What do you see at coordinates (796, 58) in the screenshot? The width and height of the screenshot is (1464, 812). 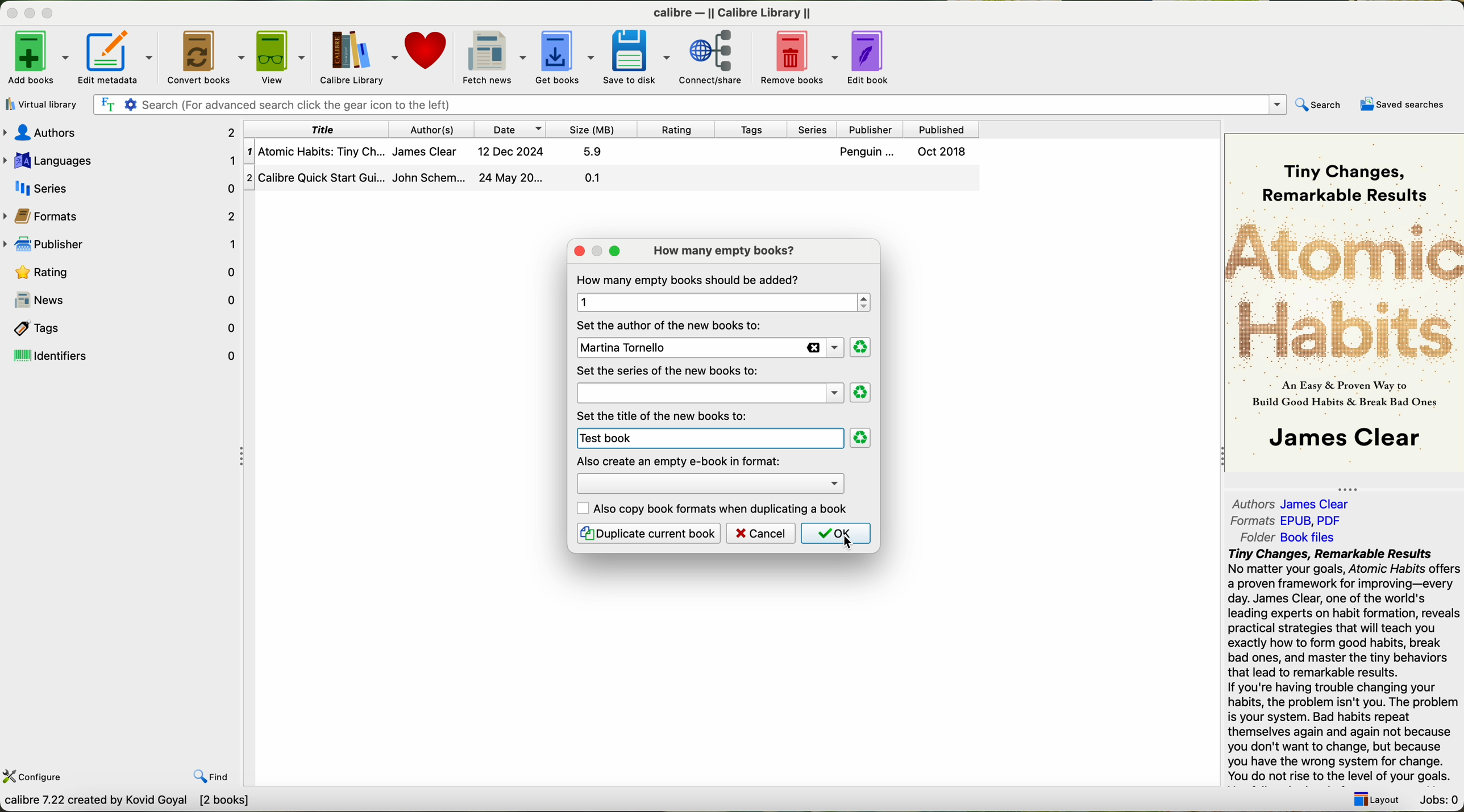 I see `remove books` at bounding box center [796, 58].